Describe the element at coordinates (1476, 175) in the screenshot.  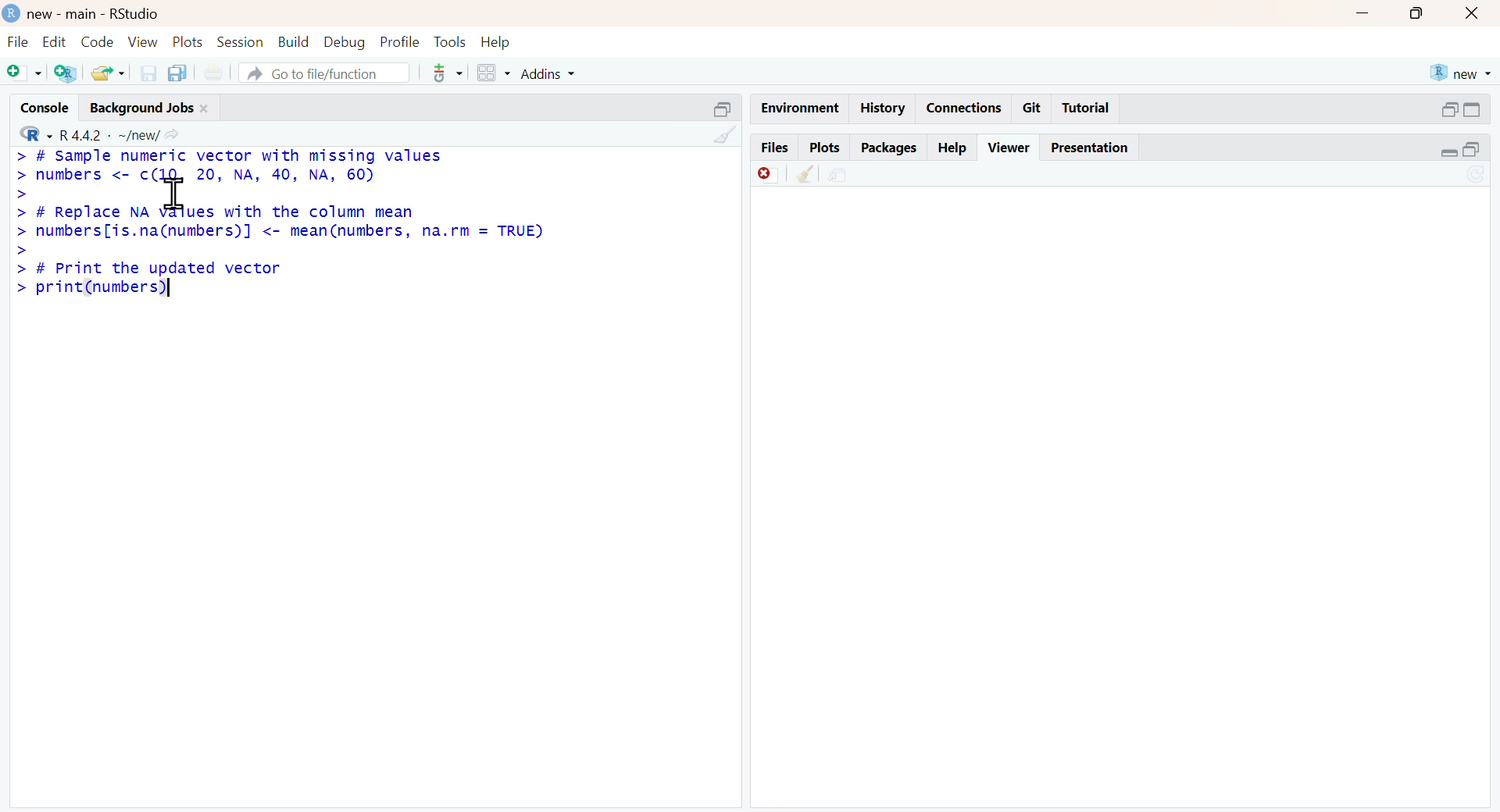
I see `sync` at that location.